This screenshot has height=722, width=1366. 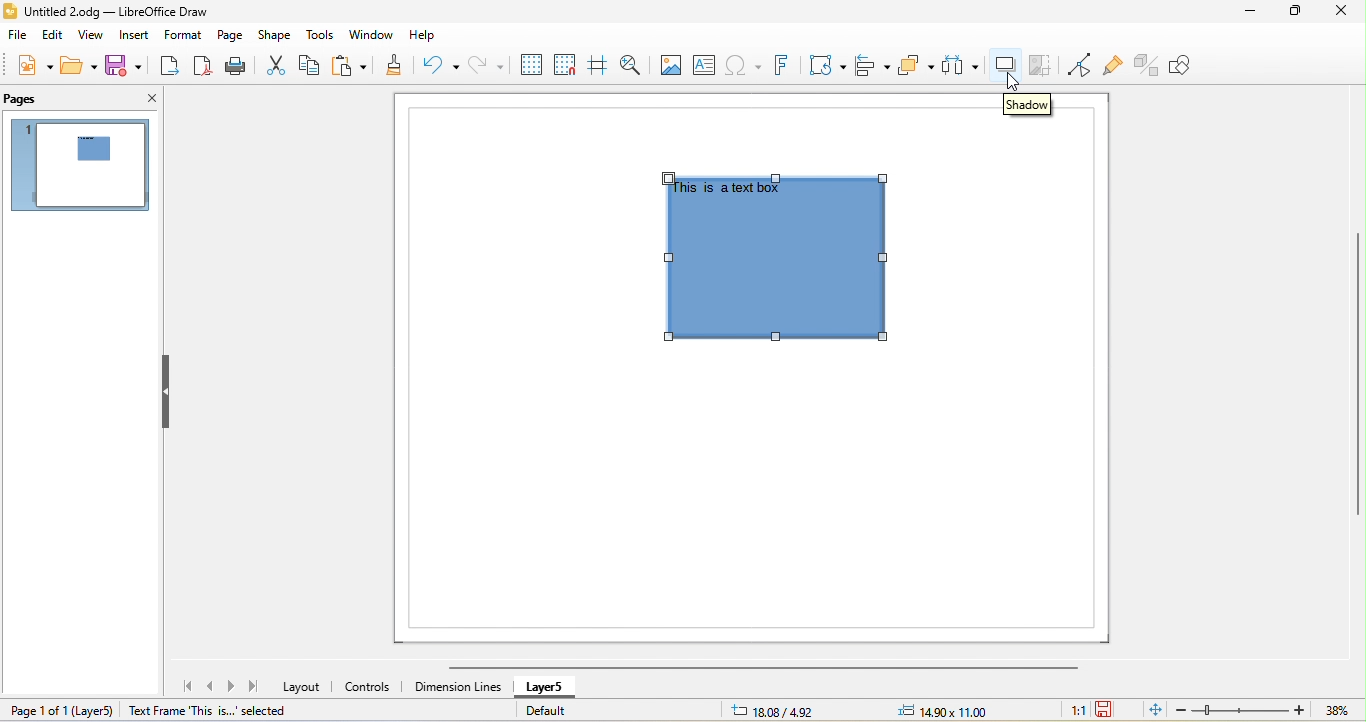 What do you see at coordinates (602, 65) in the screenshot?
I see `helpline while moving` at bounding box center [602, 65].